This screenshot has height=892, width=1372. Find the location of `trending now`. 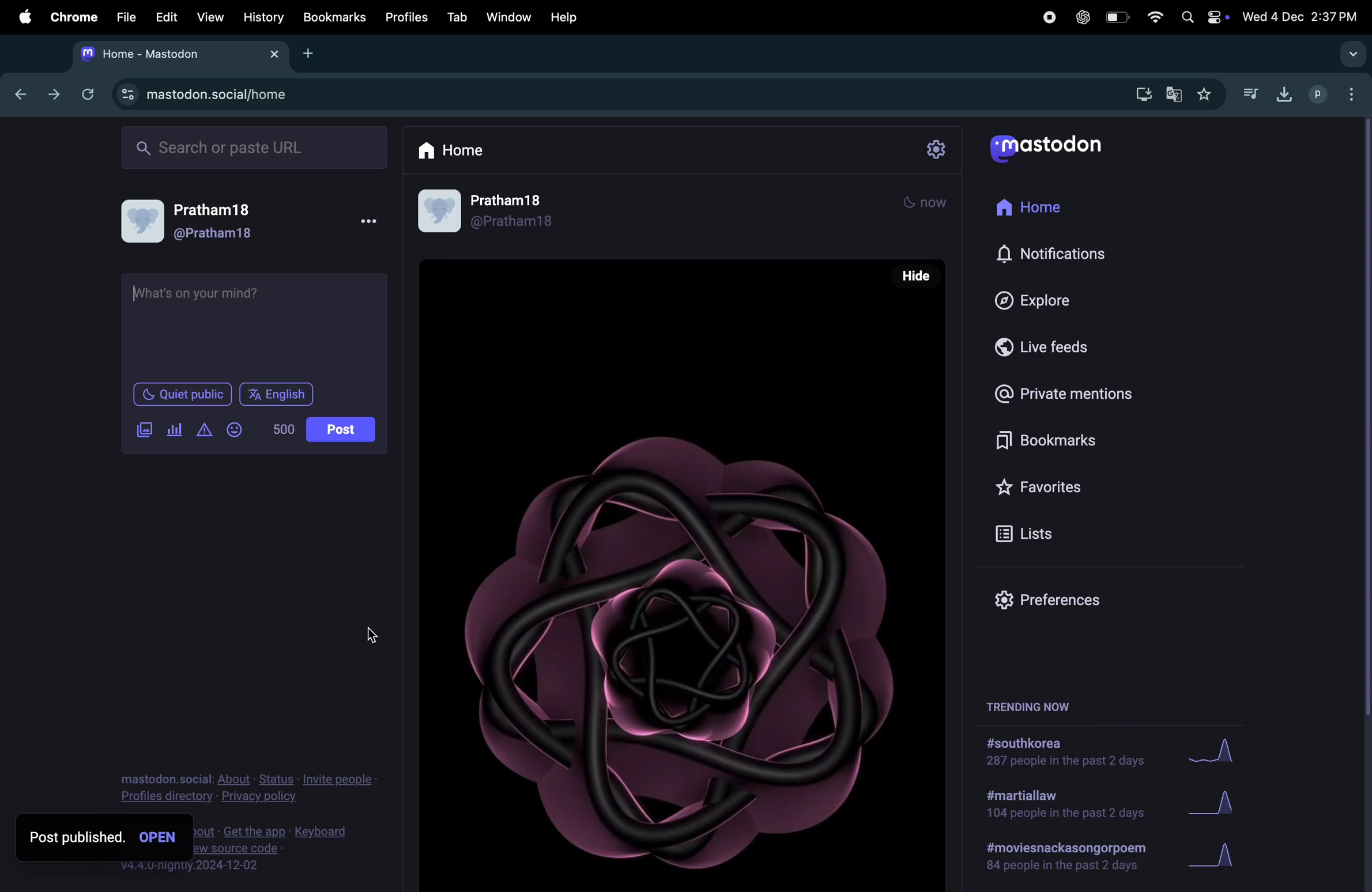

trending now is located at coordinates (1045, 705).